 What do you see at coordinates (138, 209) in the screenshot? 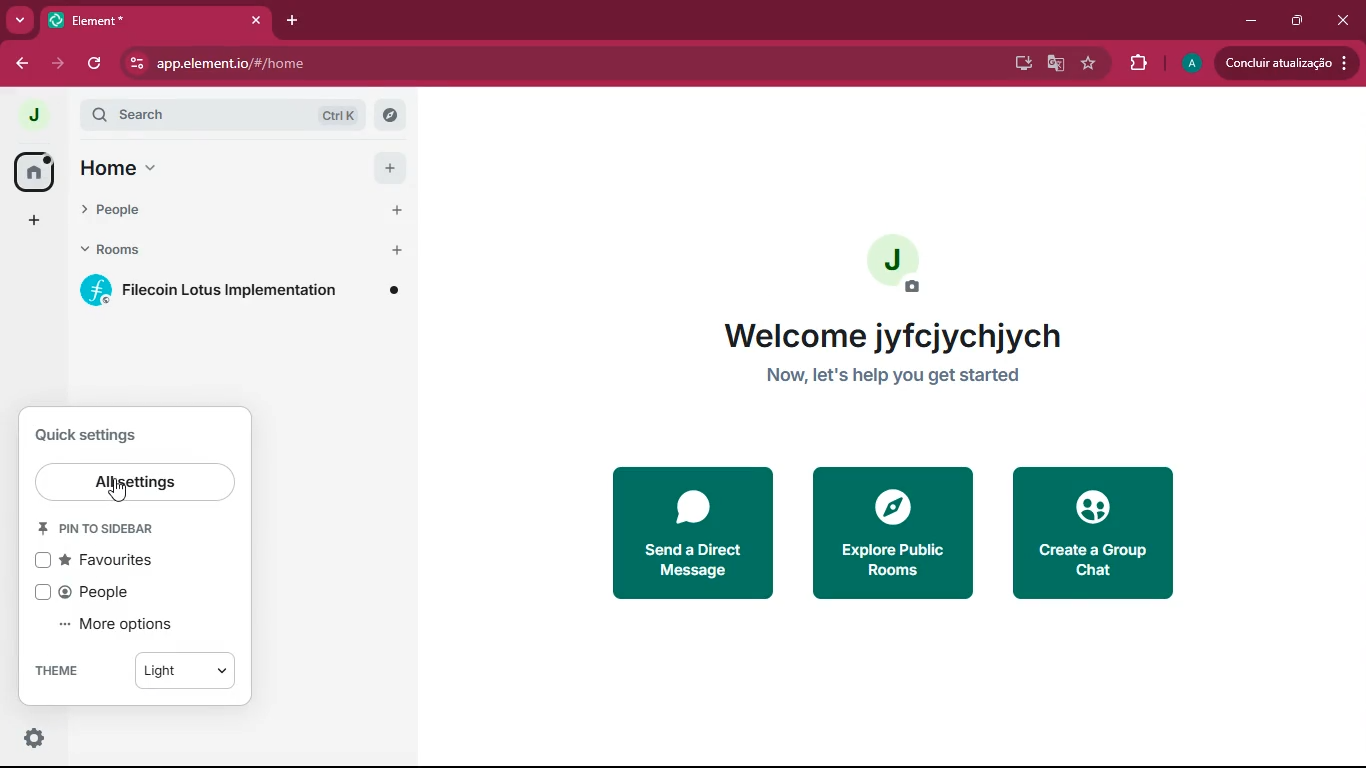
I see `people` at bounding box center [138, 209].